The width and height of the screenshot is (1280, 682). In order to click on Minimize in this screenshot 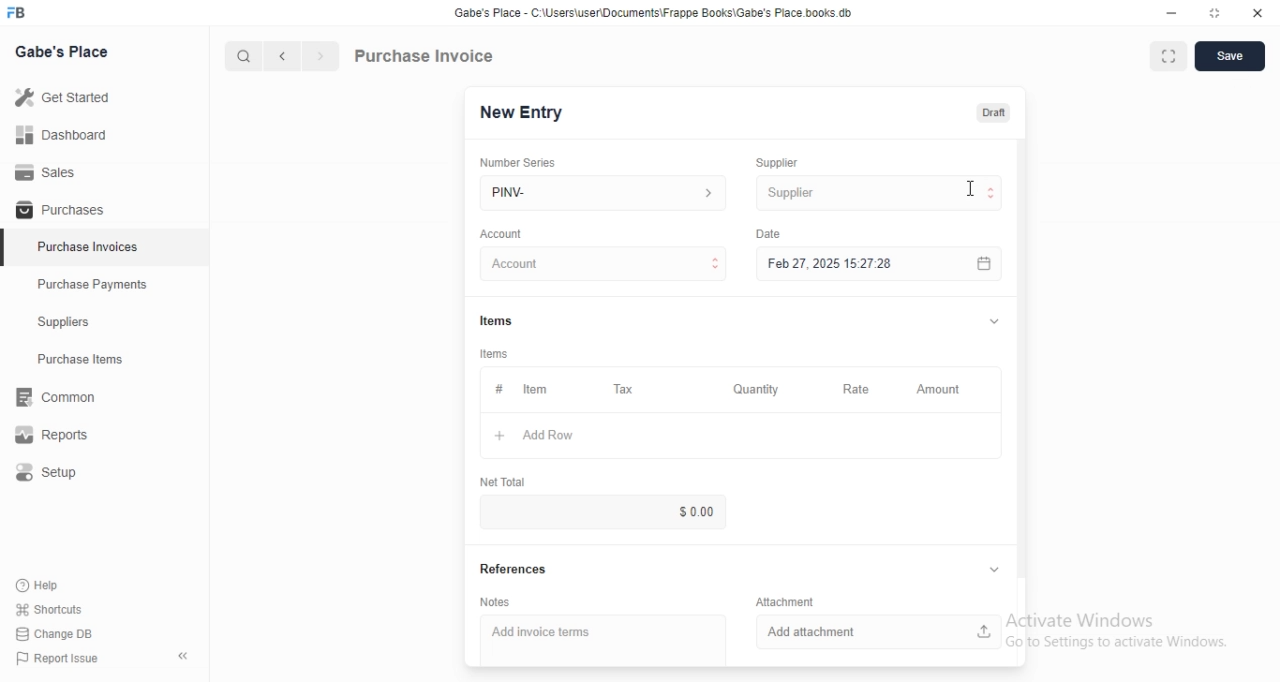, I will do `click(1171, 13)`.